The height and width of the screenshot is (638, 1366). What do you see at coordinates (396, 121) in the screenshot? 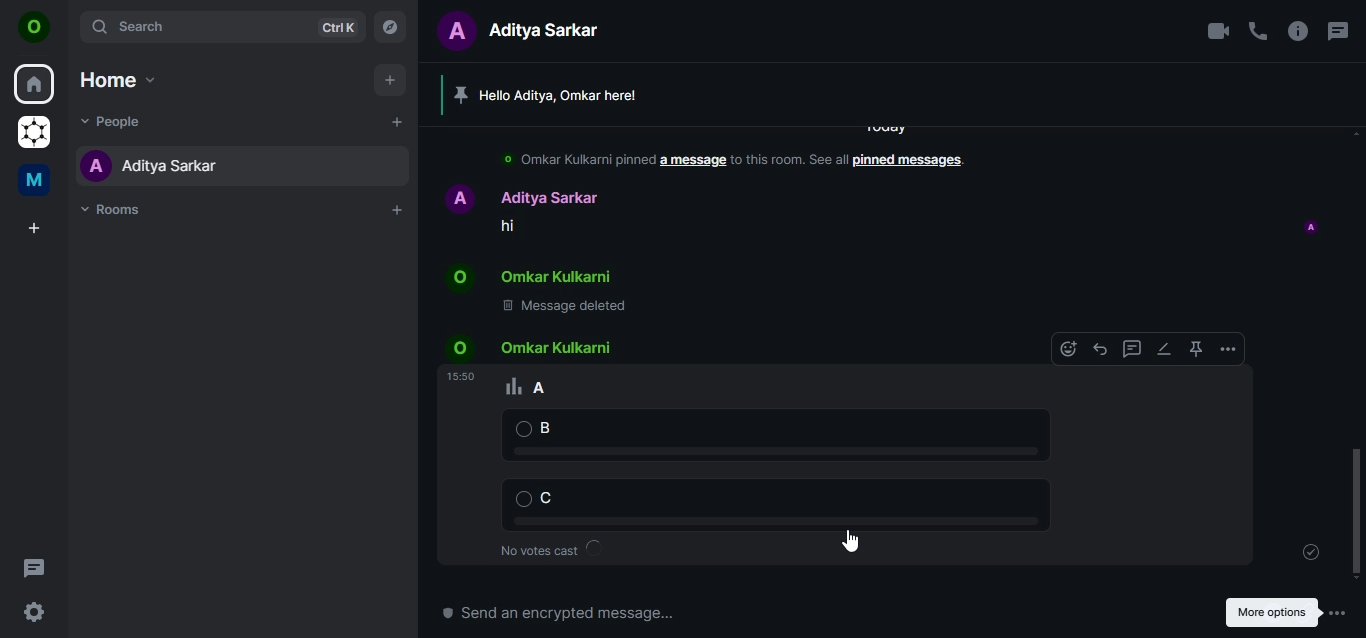
I see `add` at bounding box center [396, 121].